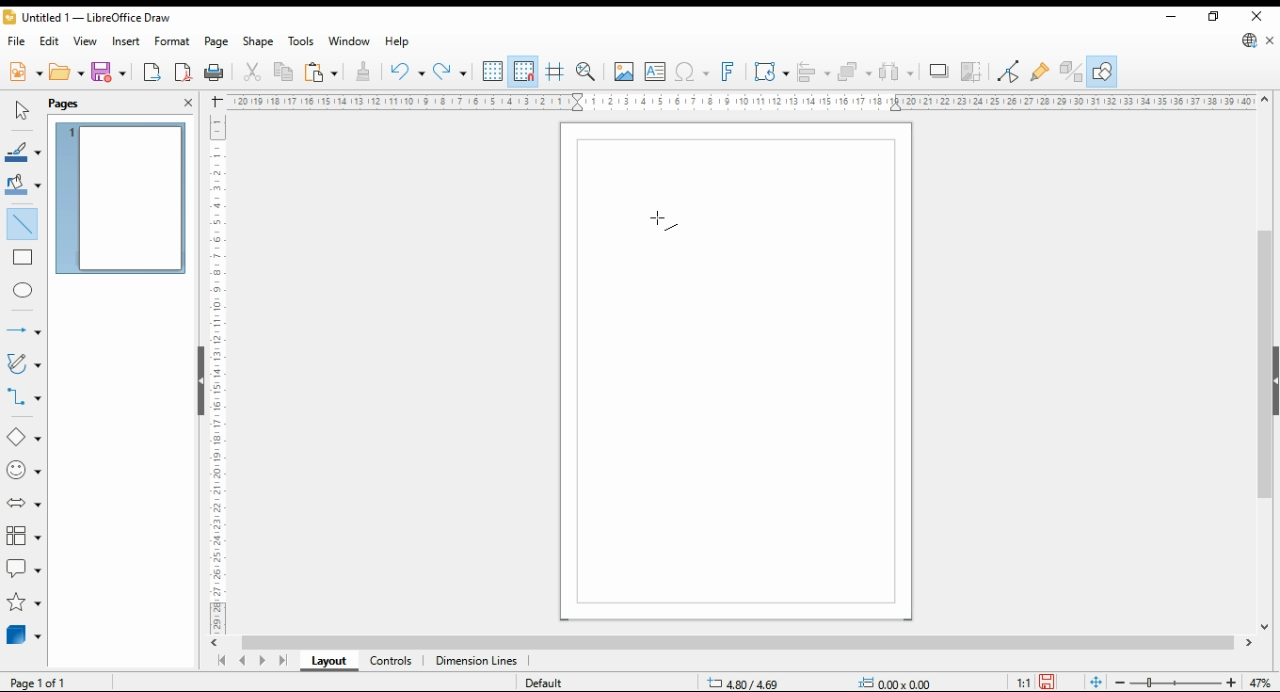  What do you see at coordinates (406, 72) in the screenshot?
I see `undo` at bounding box center [406, 72].